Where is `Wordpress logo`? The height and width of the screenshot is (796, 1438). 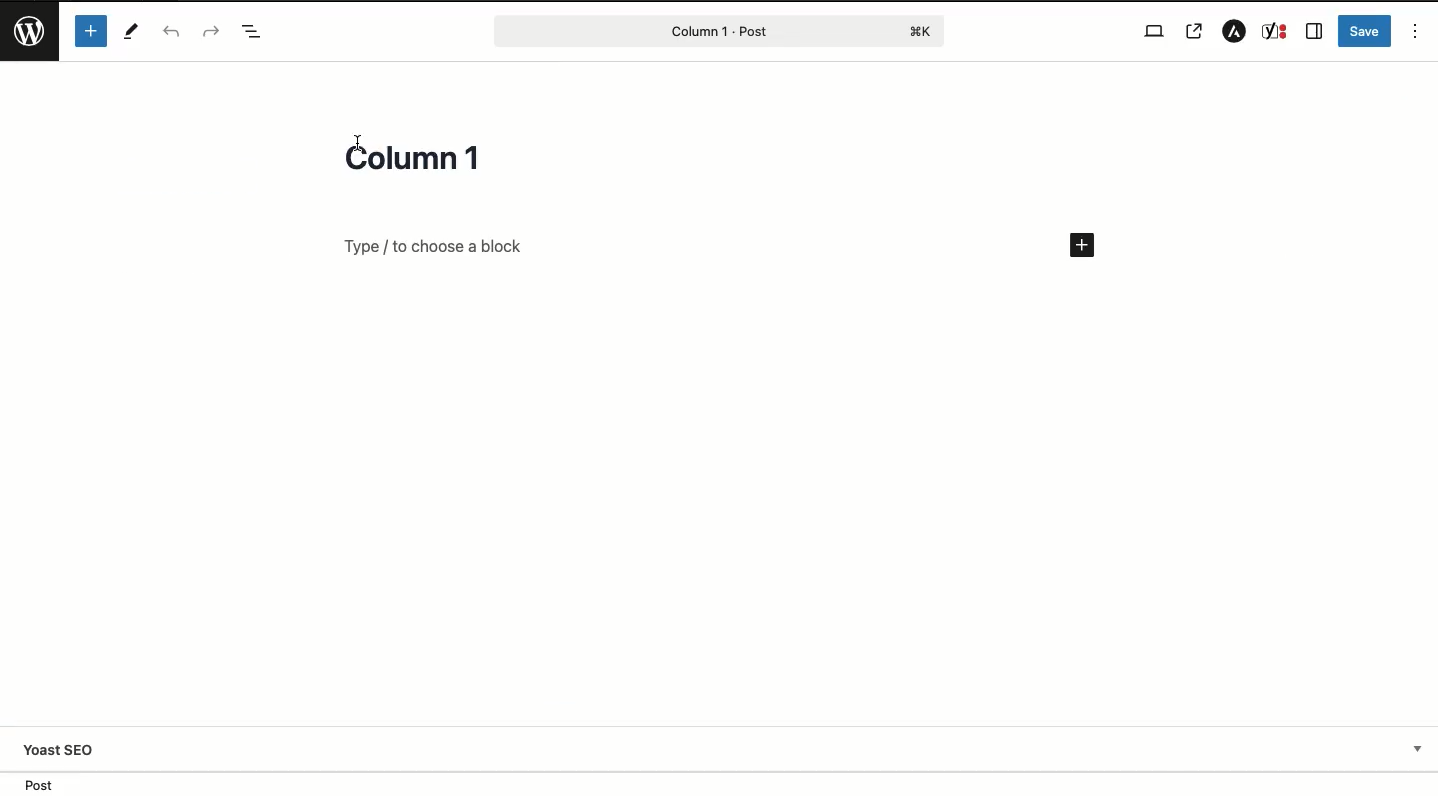
Wordpress logo is located at coordinates (30, 26).